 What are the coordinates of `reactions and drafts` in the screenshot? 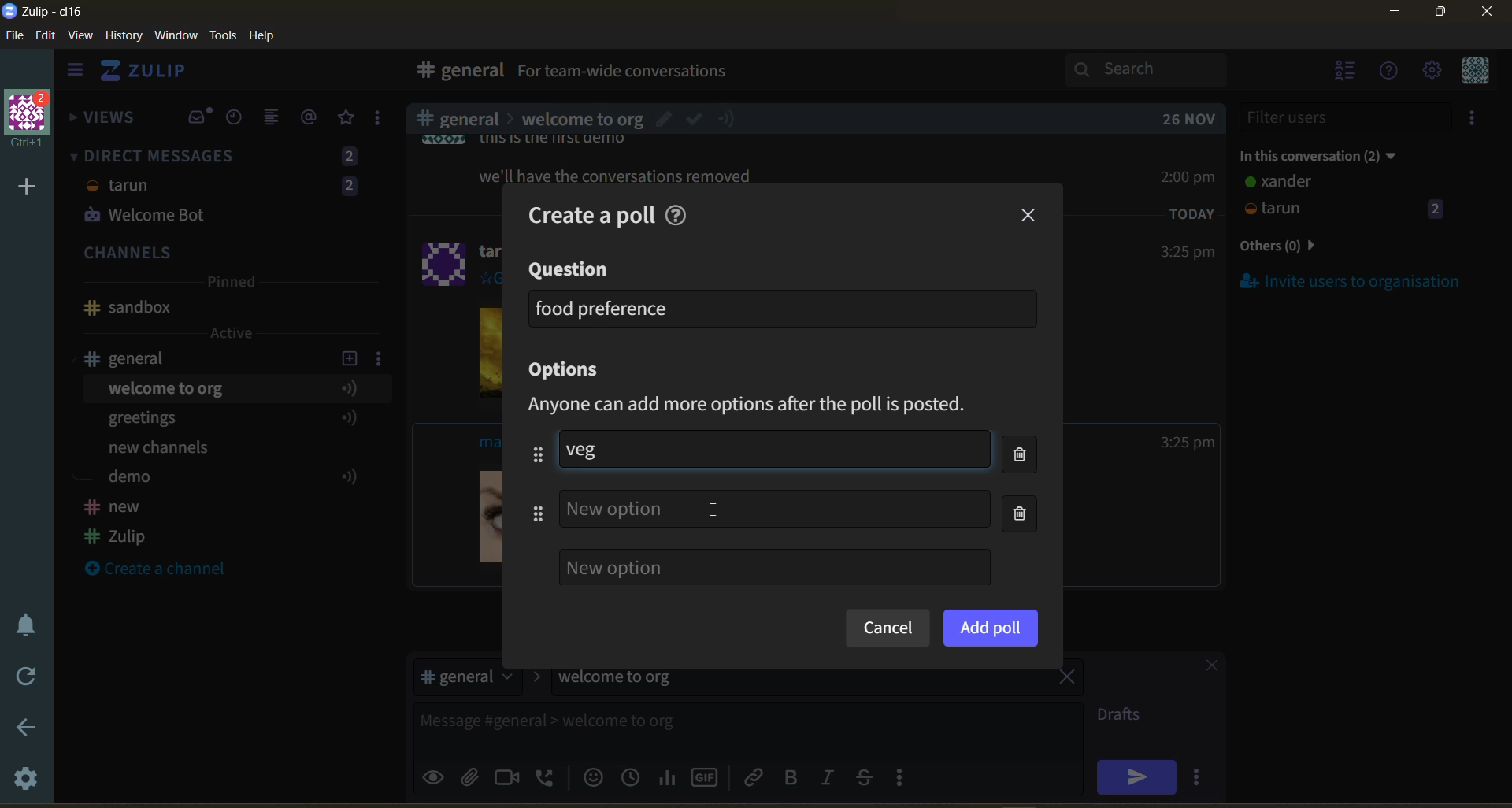 It's located at (384, 121).